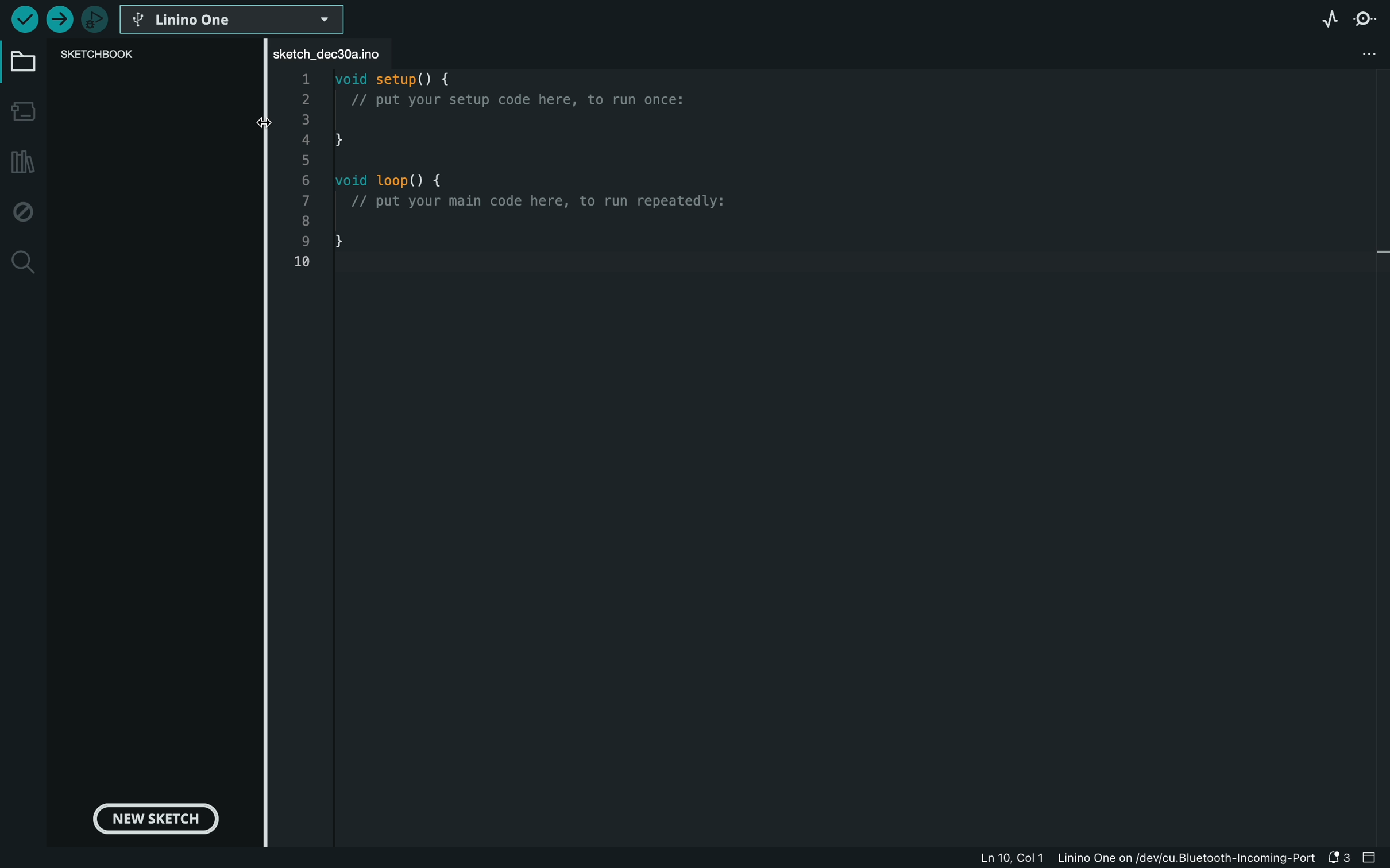  Describe the element at coordinates (60, 21) in the screenshot. I see `VERIFY` at that location.